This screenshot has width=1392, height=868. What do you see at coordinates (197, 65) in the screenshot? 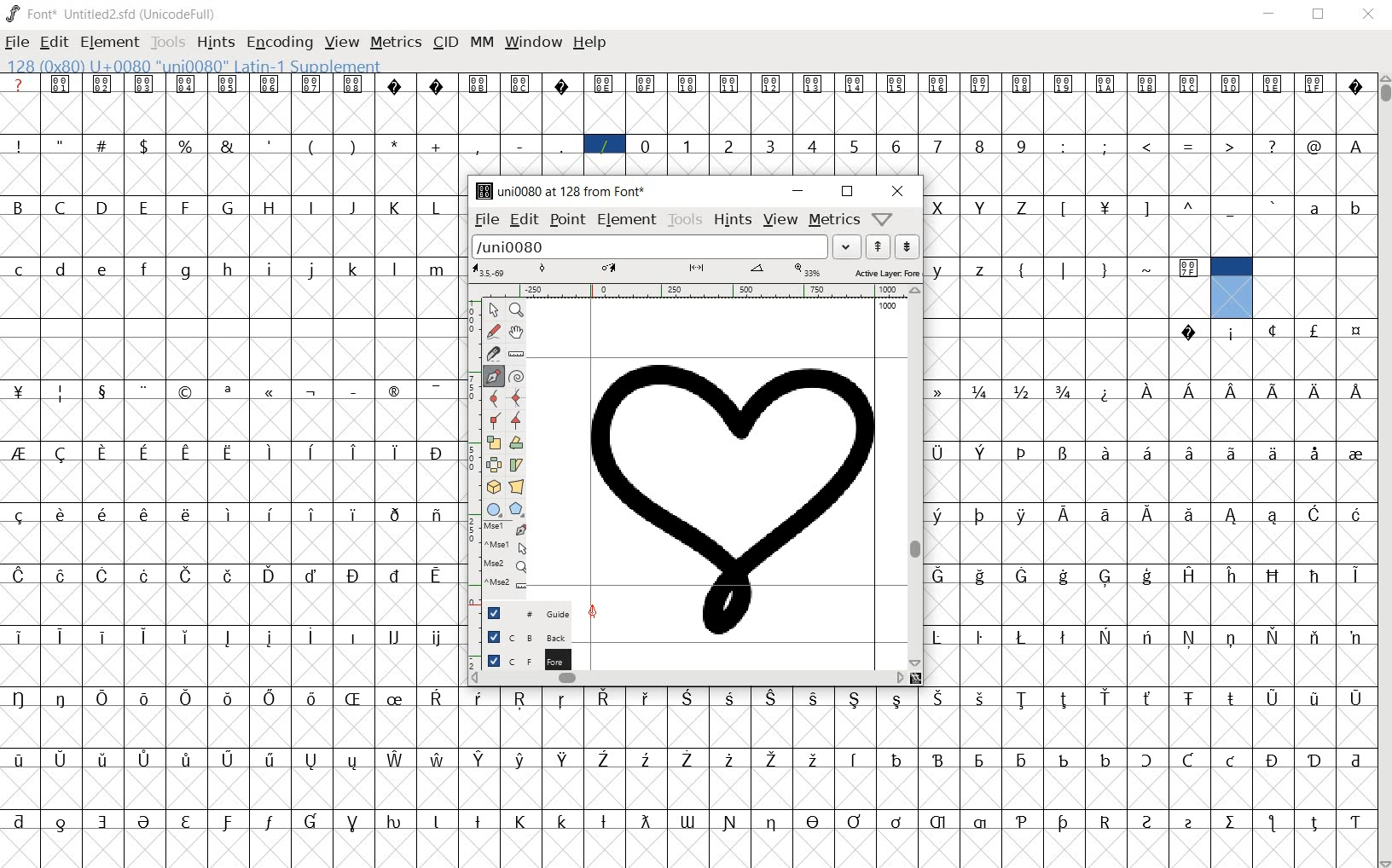
I see `GLYPHY INFO` at bounding box center [197, 65].